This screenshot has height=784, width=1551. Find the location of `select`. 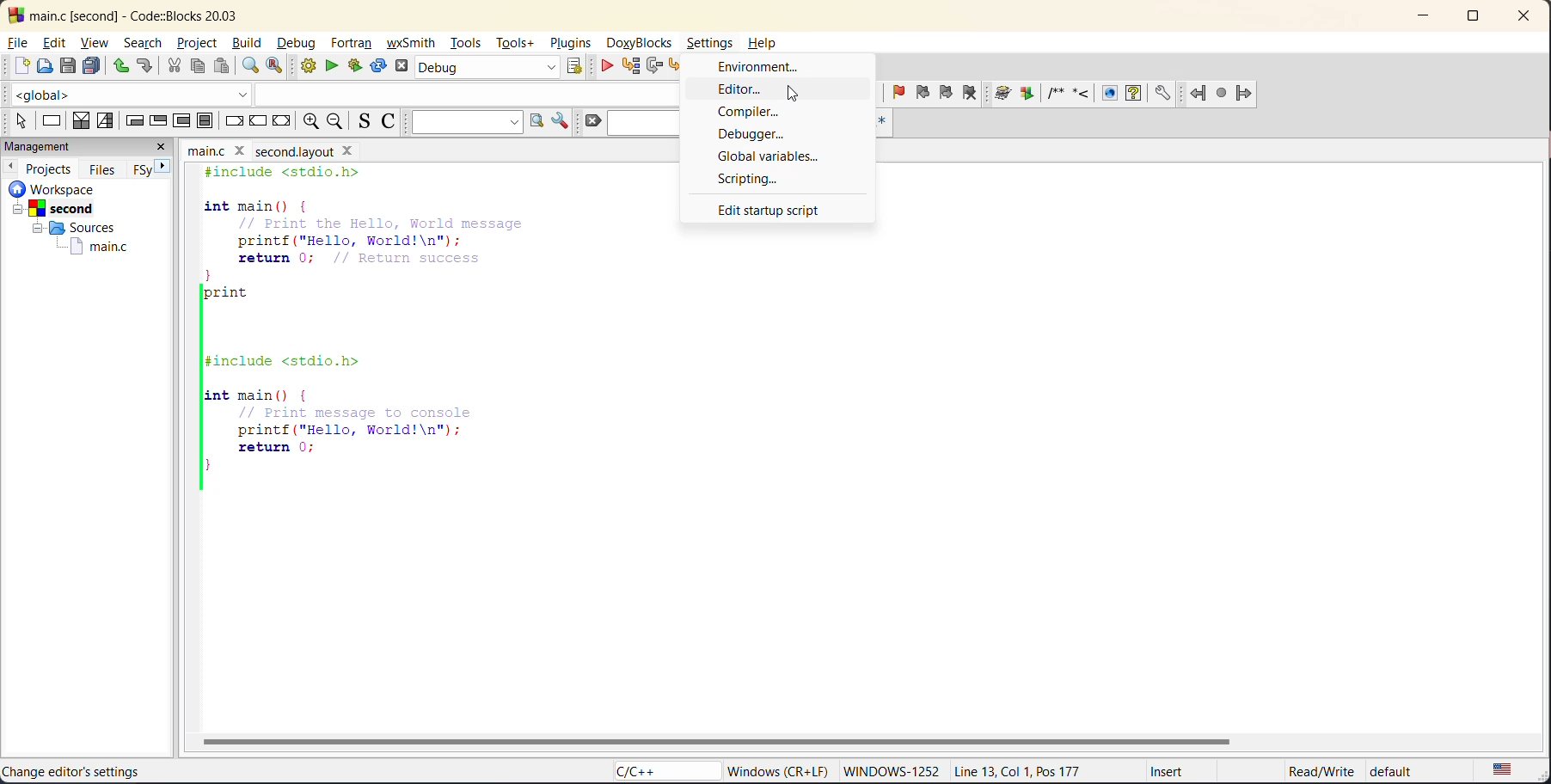

select is located at coordinates (15, 119).